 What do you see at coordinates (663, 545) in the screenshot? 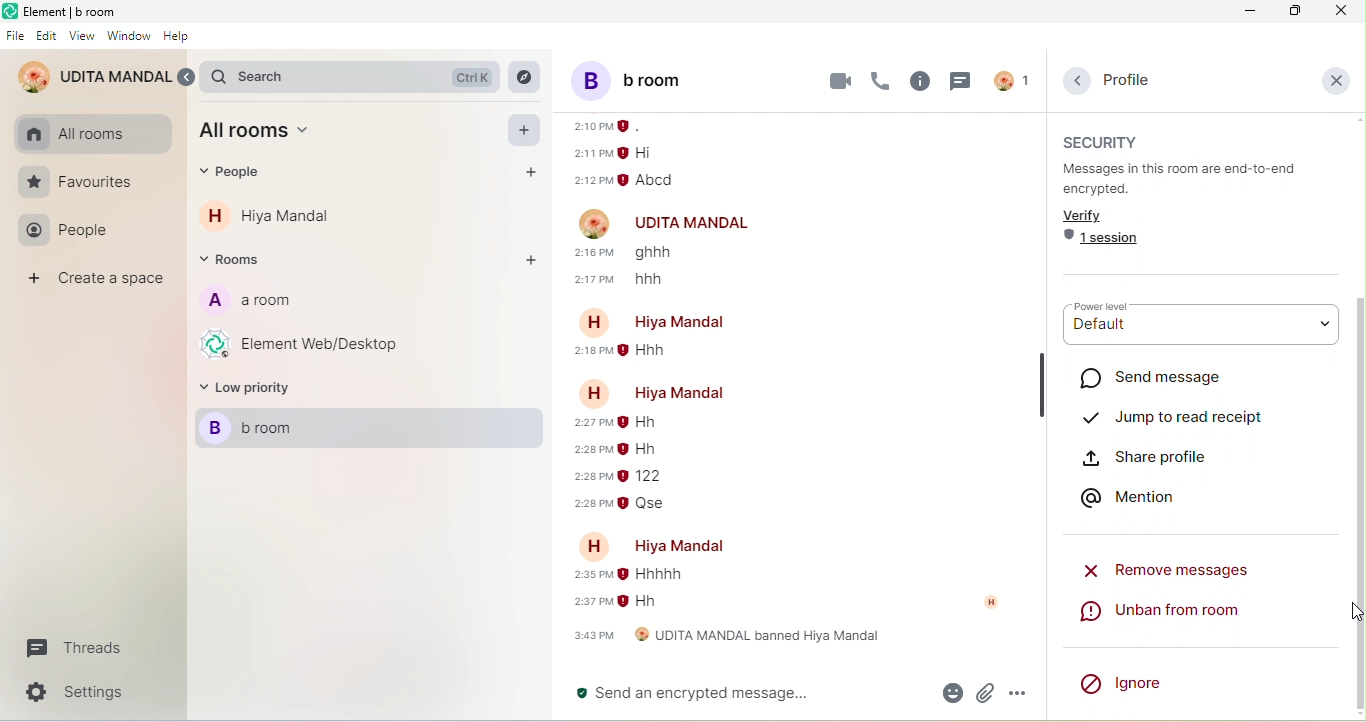
I see `account name-hiya mandal` at bounding box center [663, 545].